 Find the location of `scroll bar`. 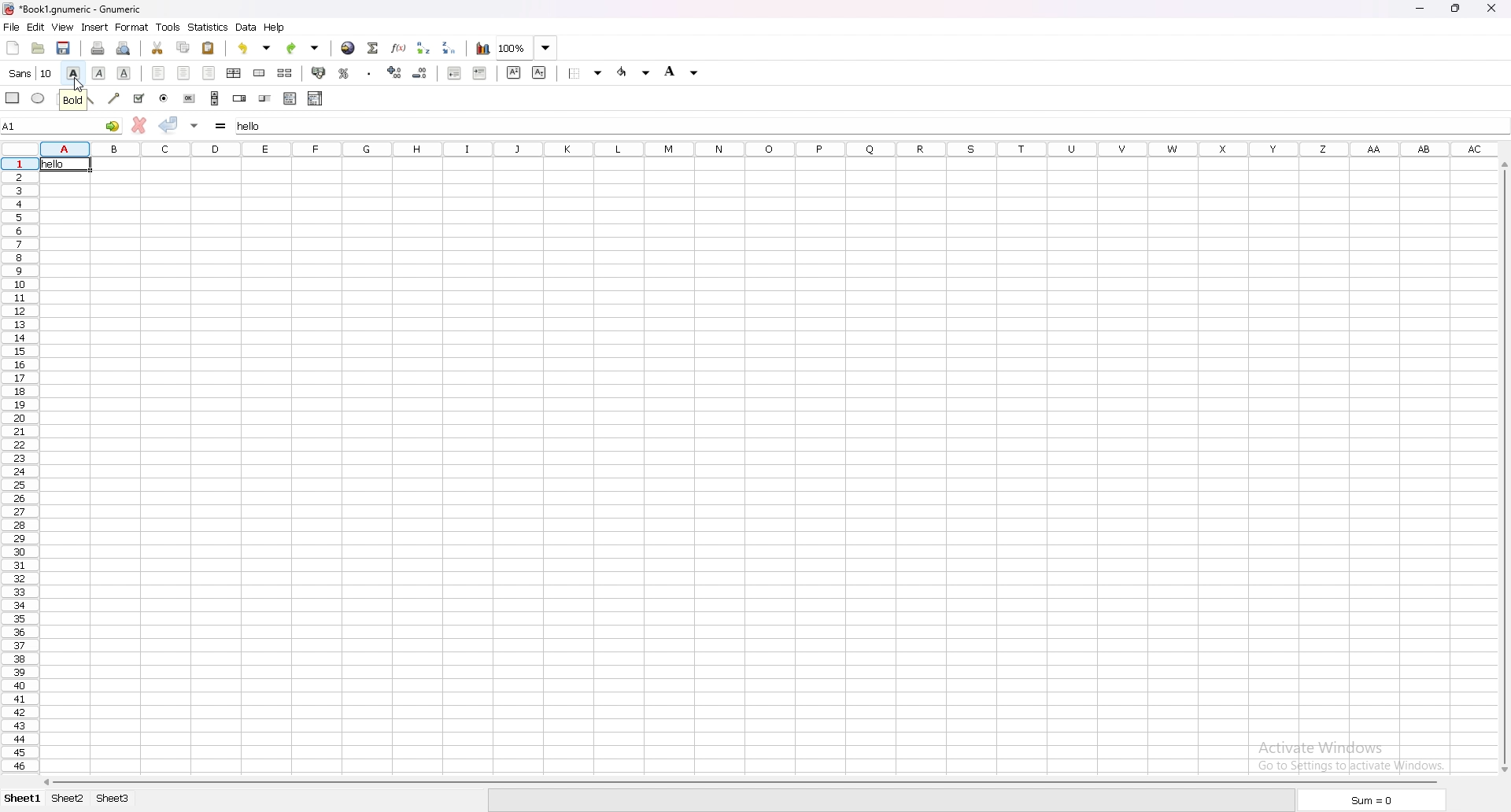

scroll bar is located at coordinates (1504, 468).